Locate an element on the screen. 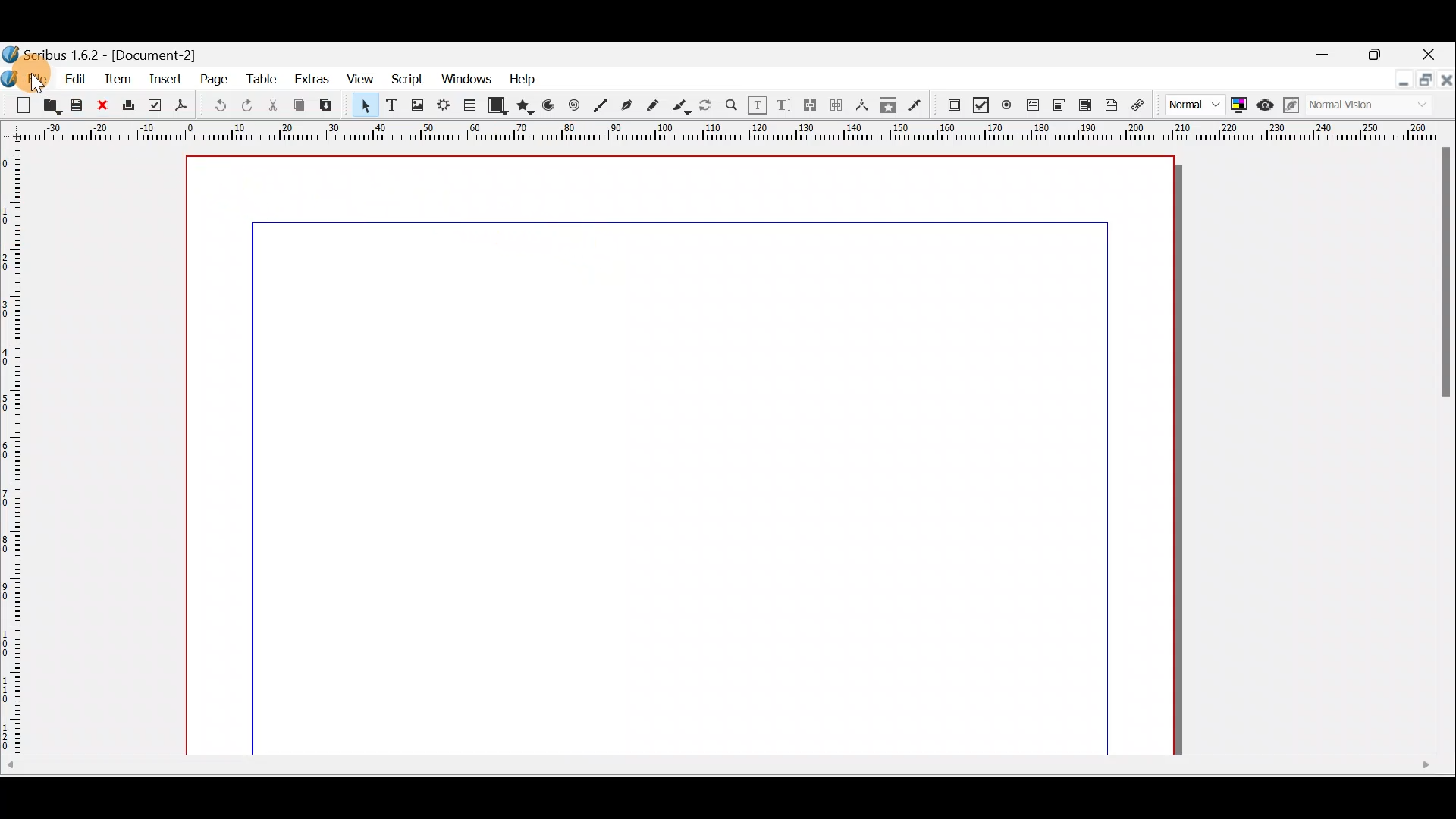 The height and width of the screenshot is (819, 1456). Select item is located at coordinates (366, 108).